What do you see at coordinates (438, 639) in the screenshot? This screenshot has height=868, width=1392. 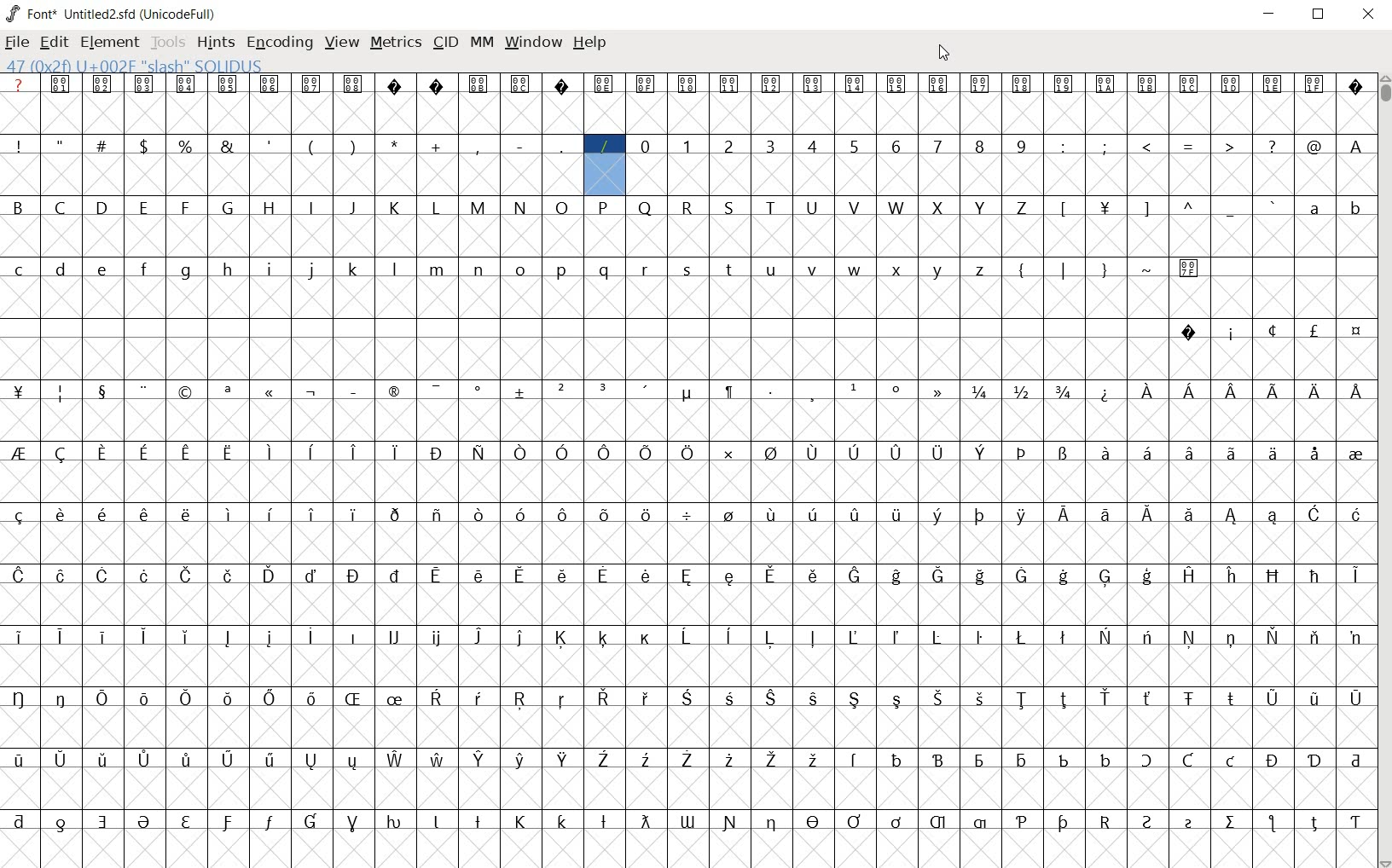 I see `glyph` at bounding box center [438, 639].